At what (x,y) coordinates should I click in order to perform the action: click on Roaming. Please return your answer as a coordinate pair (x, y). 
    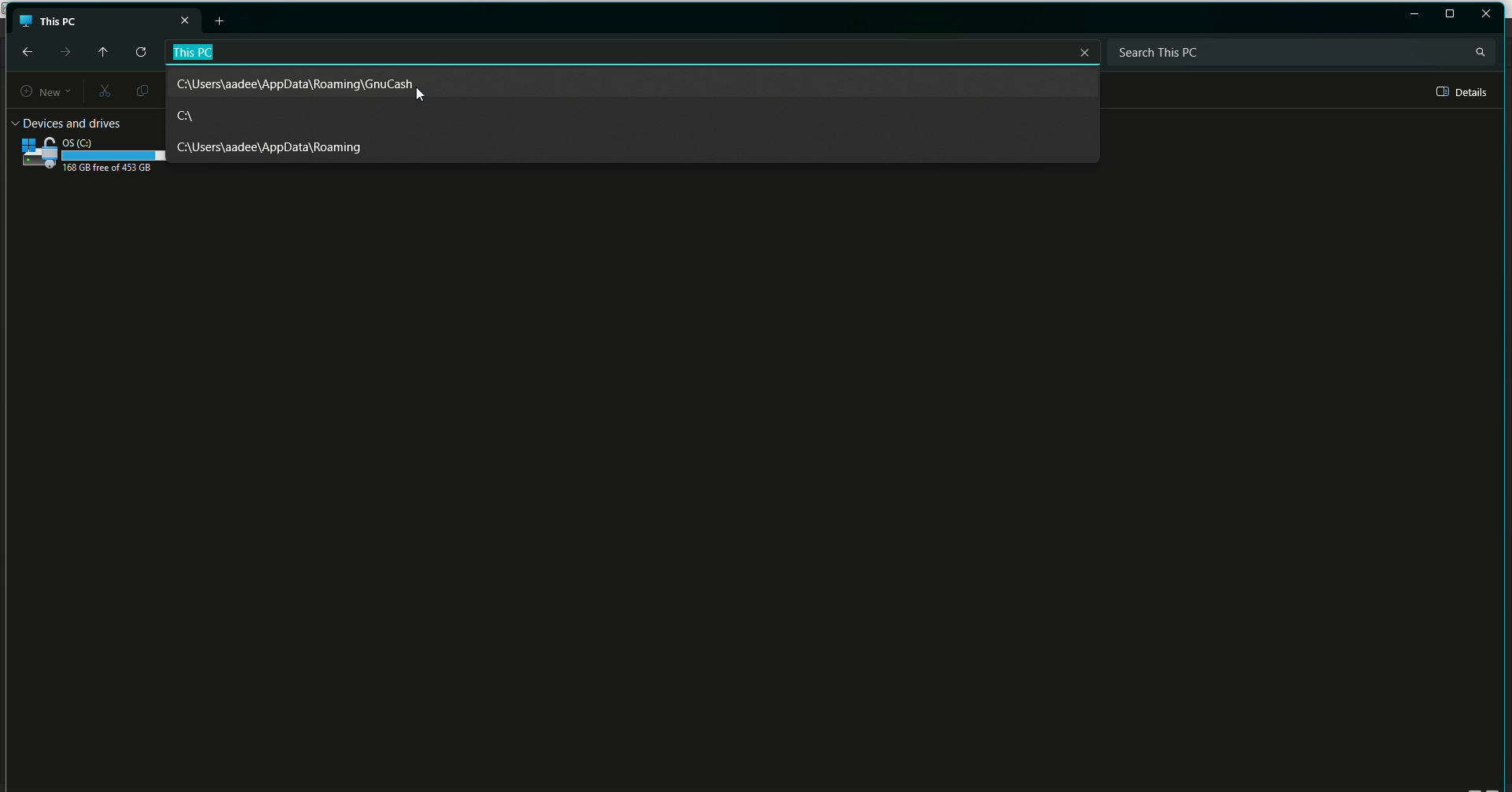
    Looking at the image, I should click on (269, 148).